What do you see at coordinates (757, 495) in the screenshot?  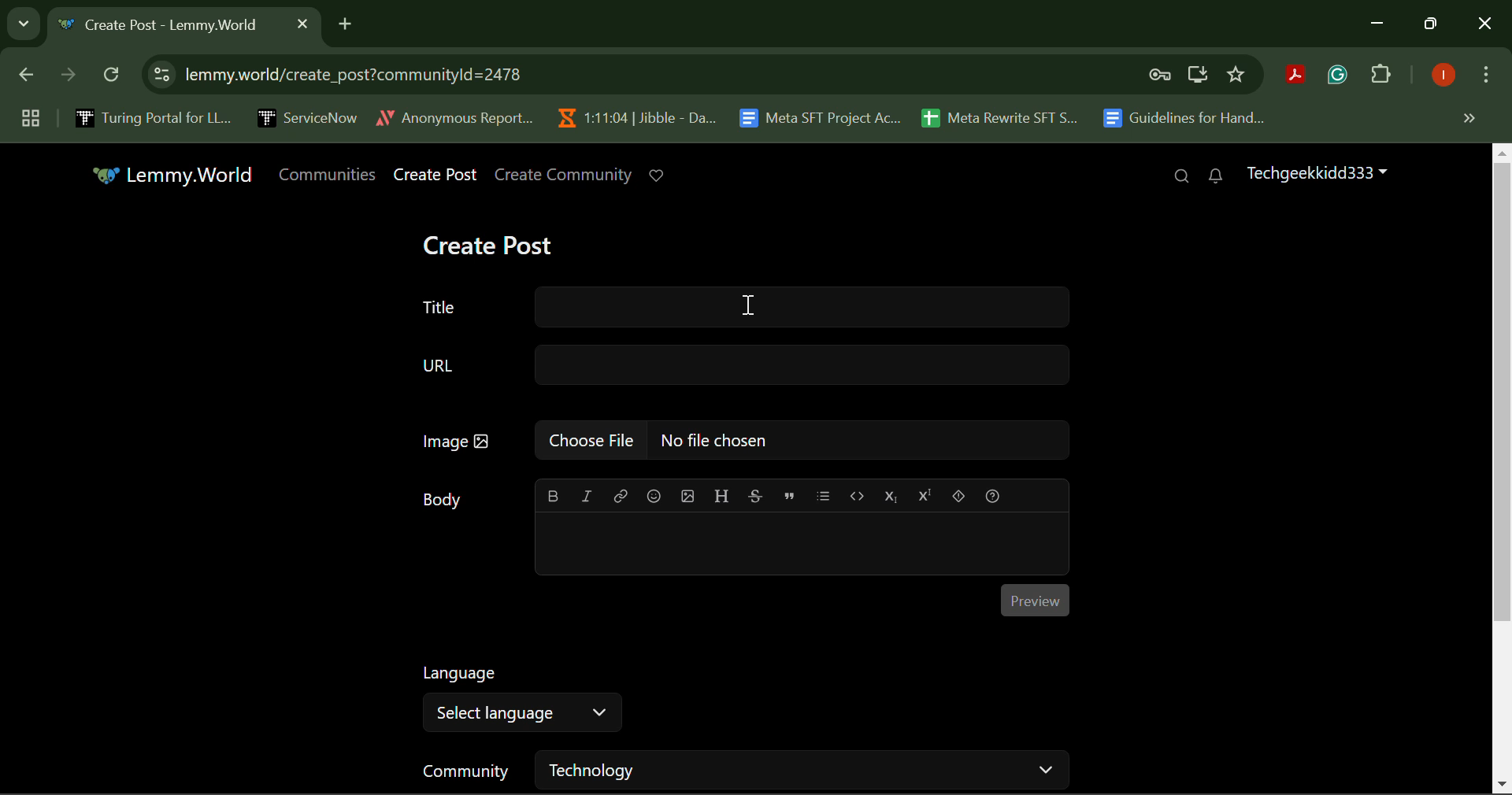 I see `strikethrough` at bounding box center [757, 495].